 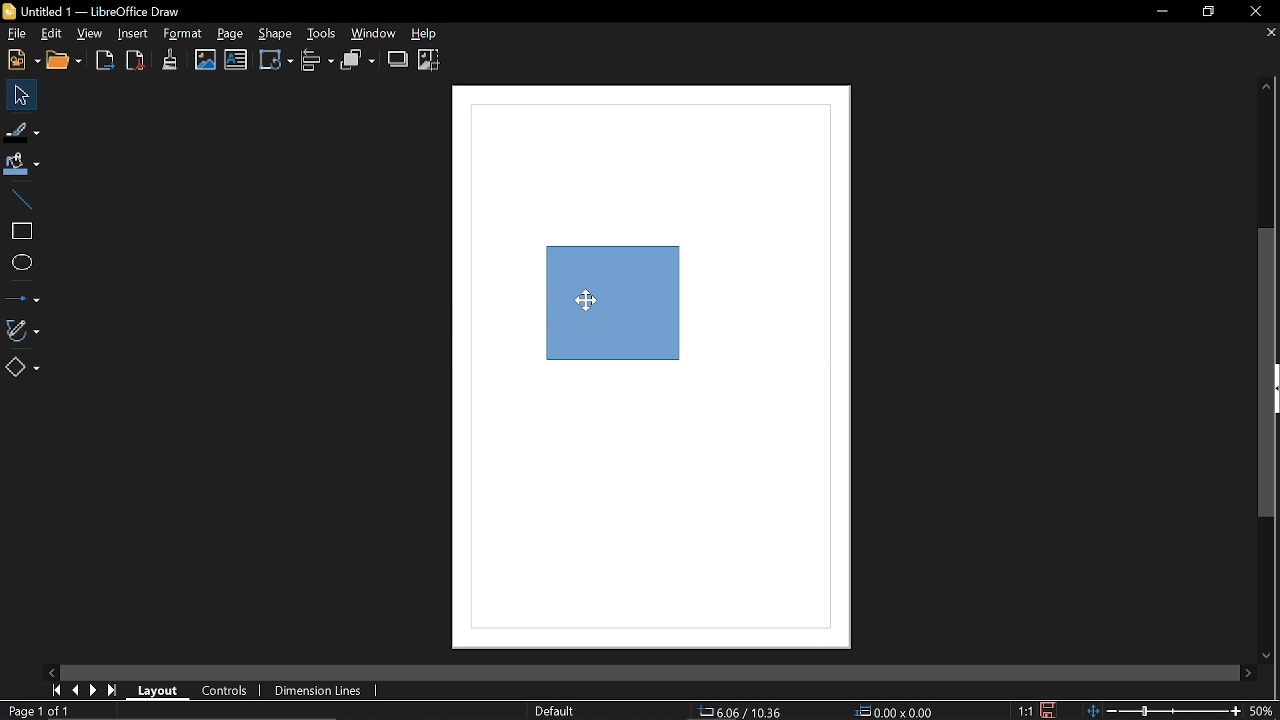 I want to click on Clone formatting, so click(x=170, y=59).